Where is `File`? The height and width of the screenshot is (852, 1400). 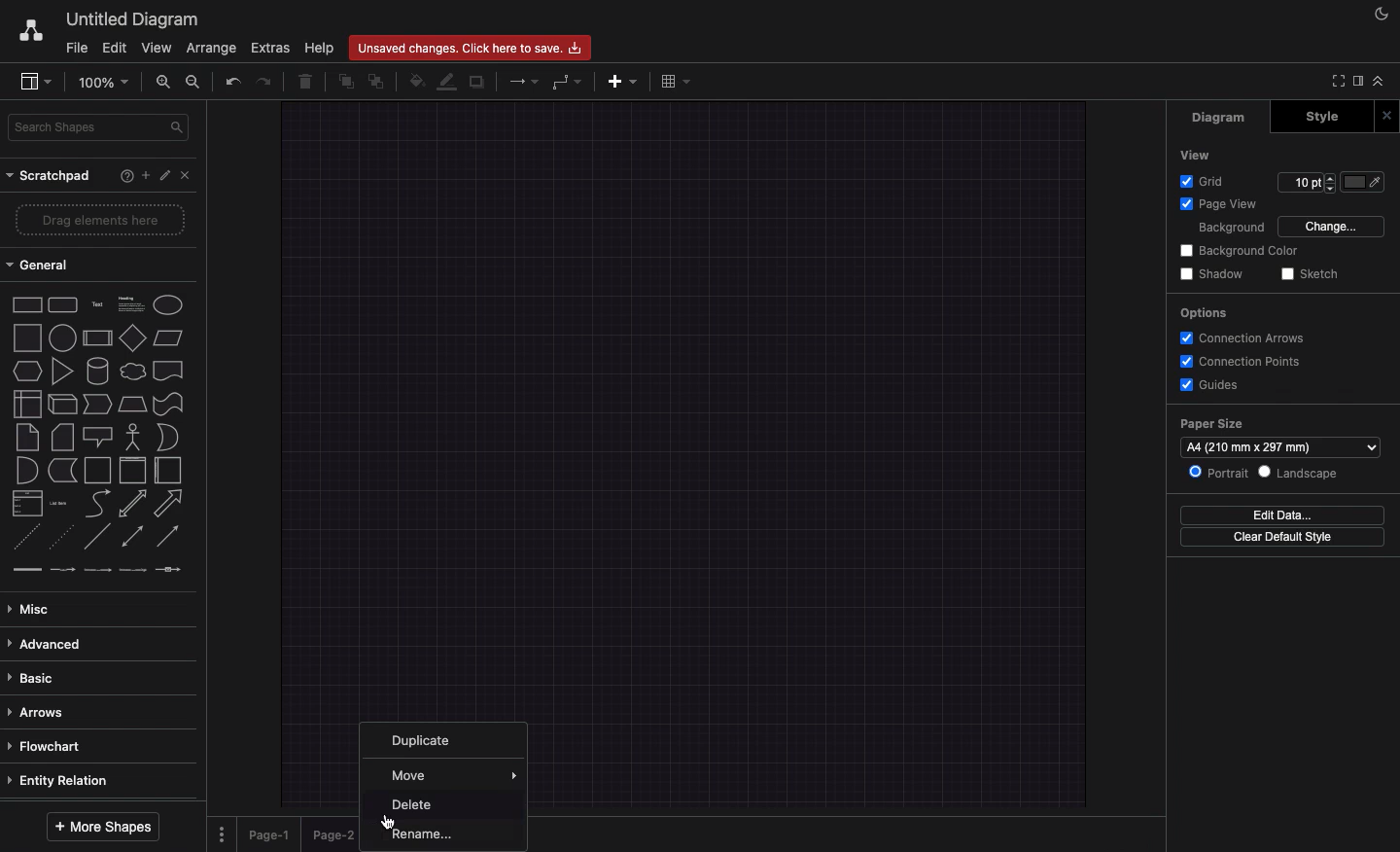 File is located at coordinates (78, 49).